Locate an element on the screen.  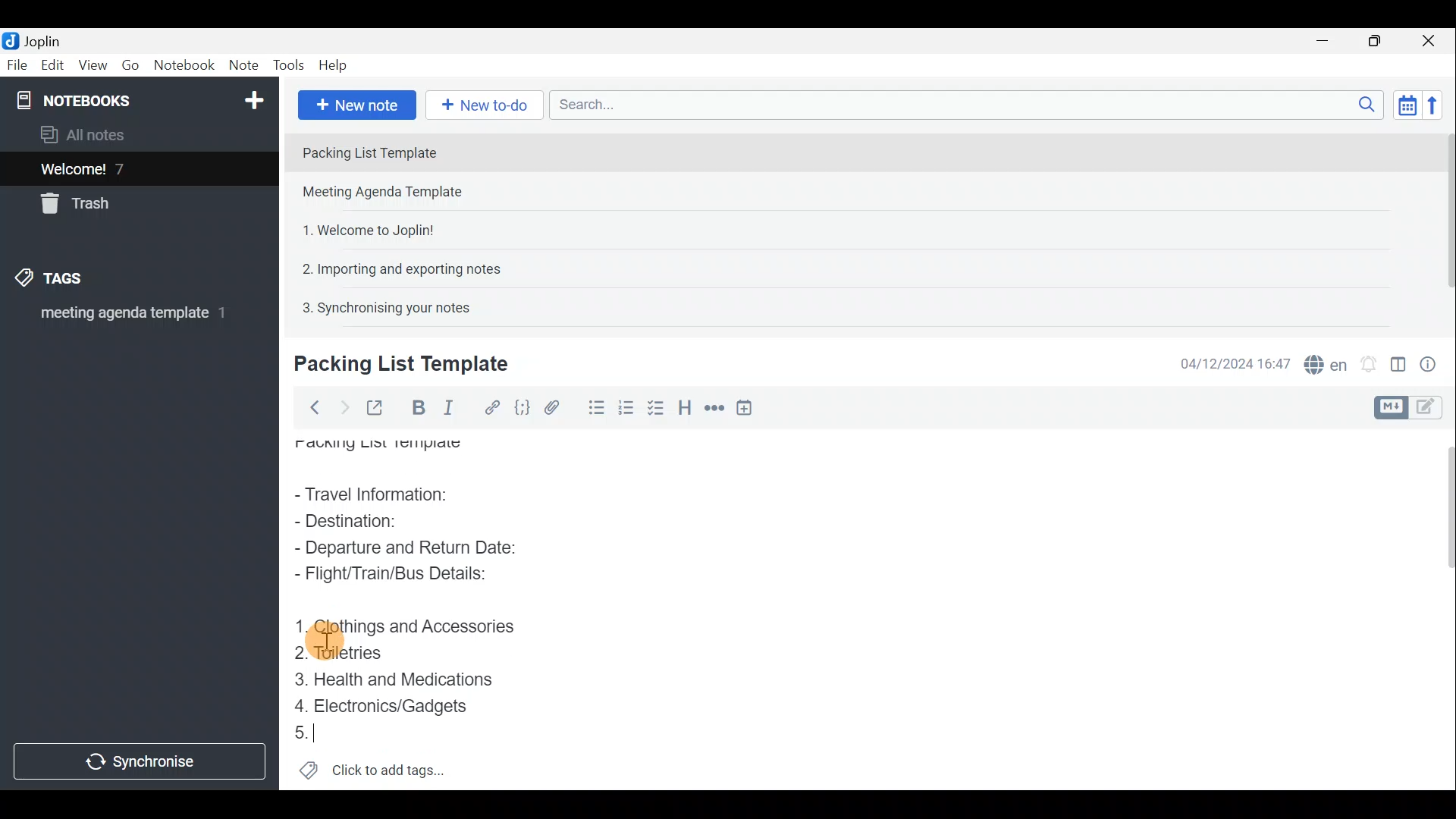
Search bar is located at coordinates (962, 106).